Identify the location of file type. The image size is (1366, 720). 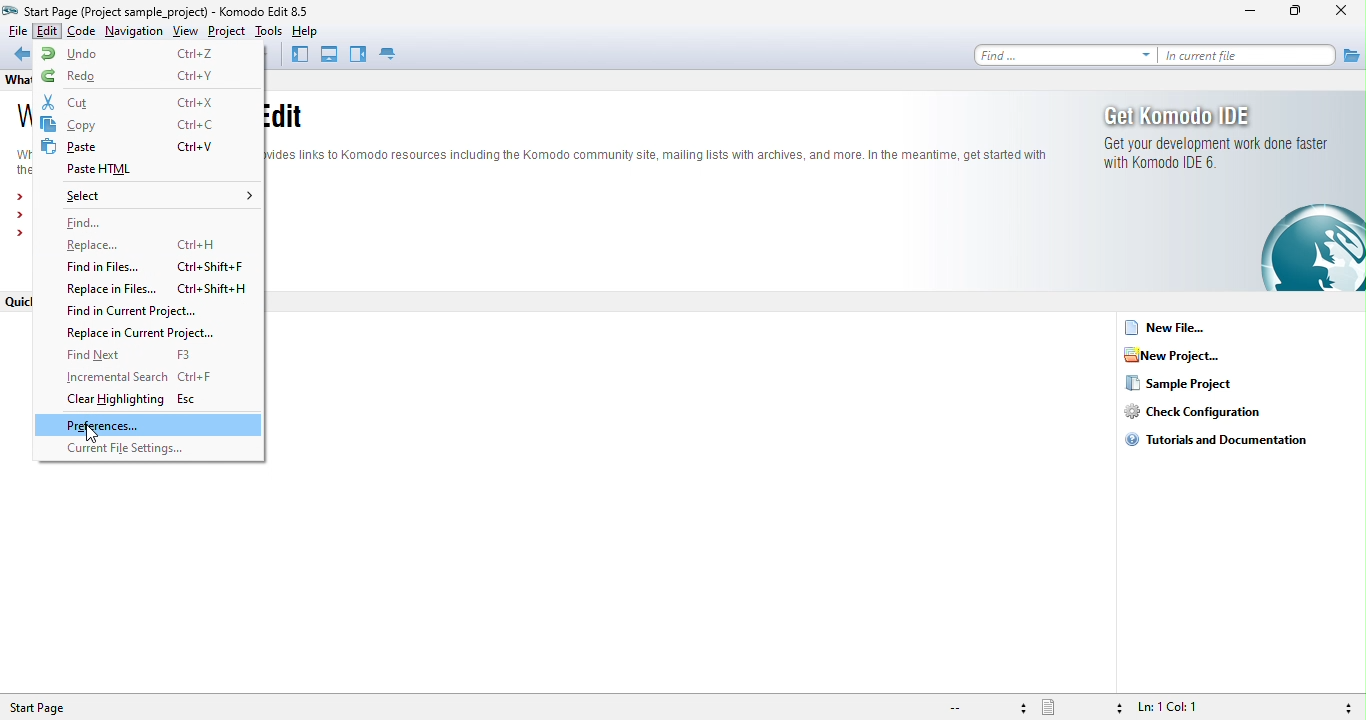
(1081, 707).